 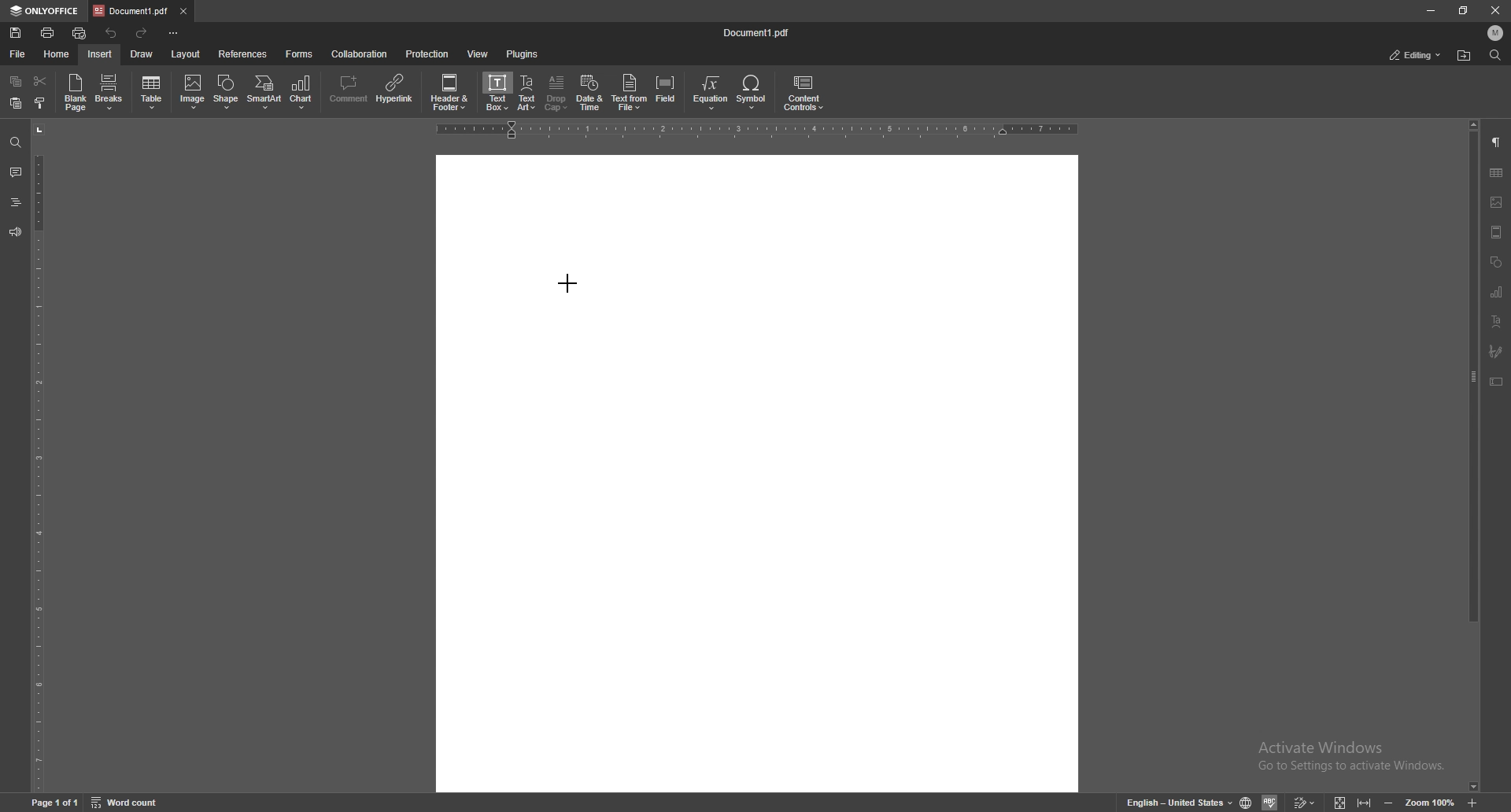 What do you see at coordinates (100, 54) in the screenshot?
I see `insert` at bounding box center [100, 54].